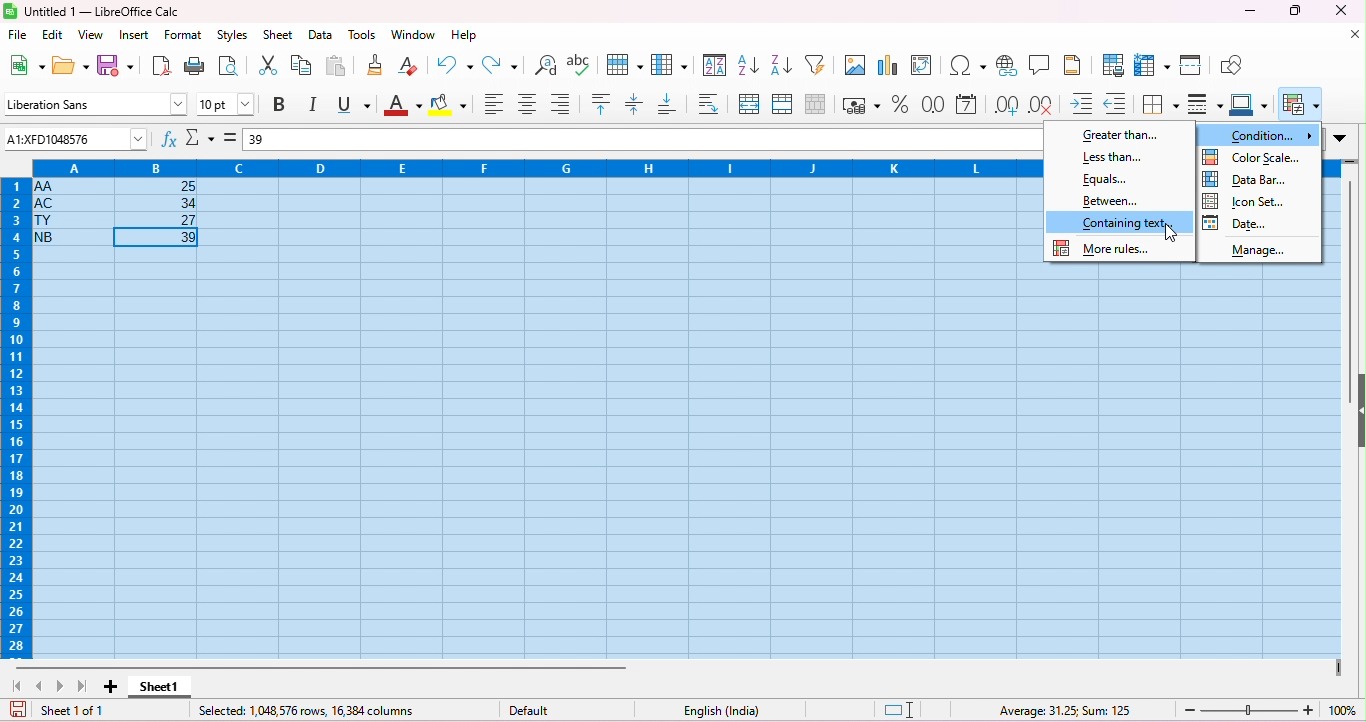 The height and width of the screenshot is (722, 1366). What do you see at coordinates (280, 36) in the screenshot?
I see `sheet` at bounding box center [280, 36].